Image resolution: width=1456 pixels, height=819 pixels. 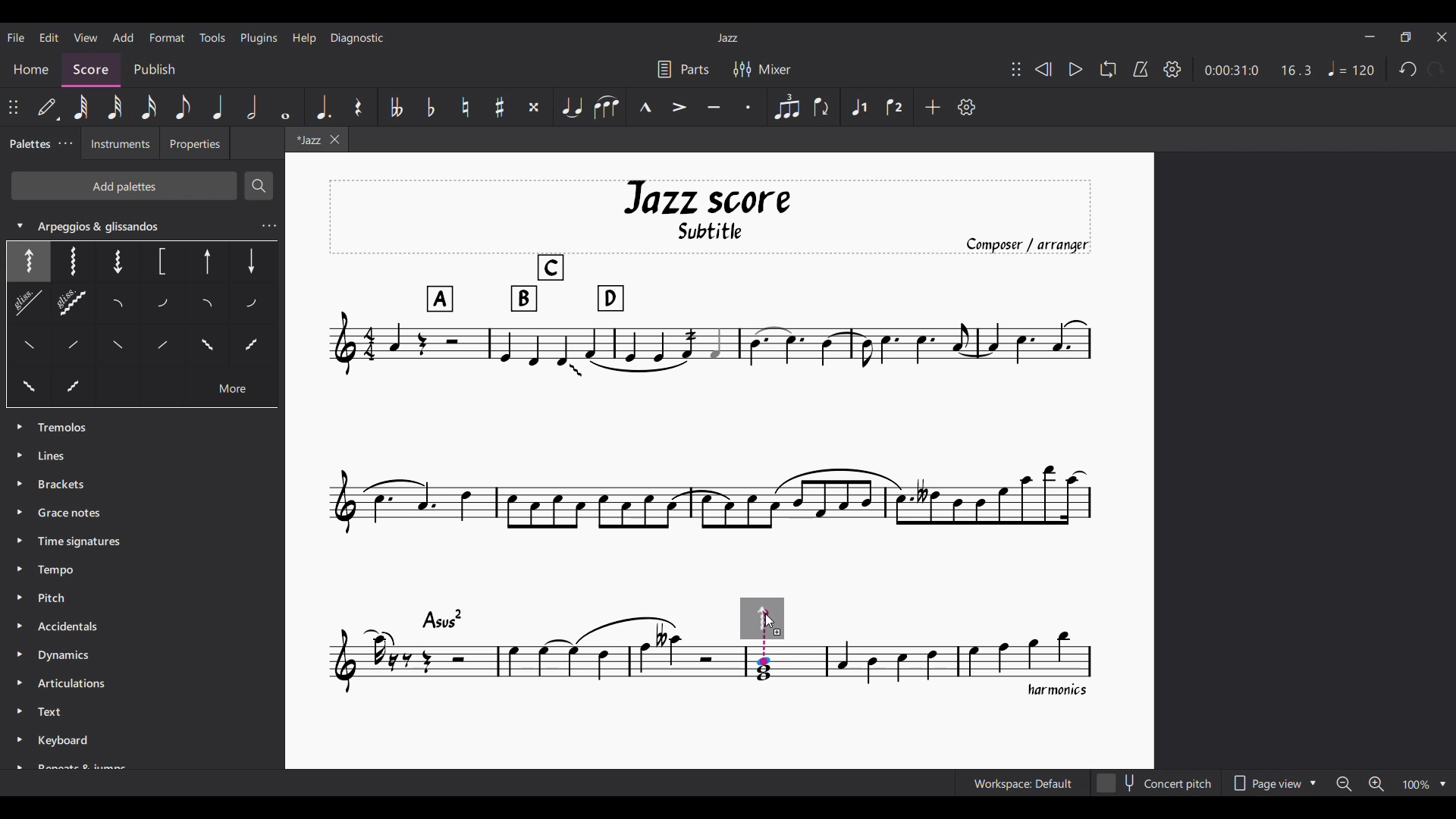 I want to click on Change position, so click(x=1016, y=69).